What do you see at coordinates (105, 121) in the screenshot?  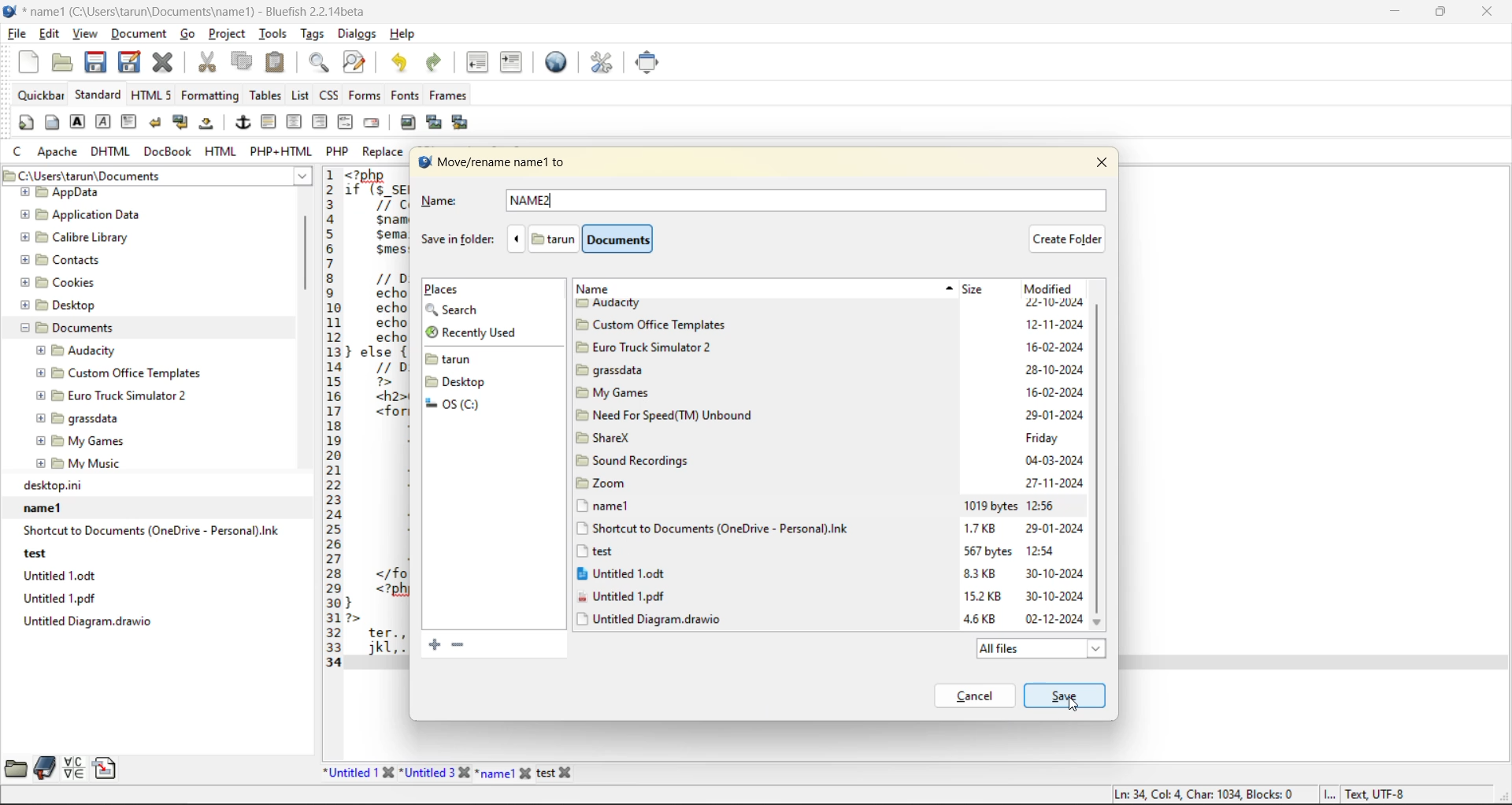 I see `emphasis` at bounding box center [105, 121].